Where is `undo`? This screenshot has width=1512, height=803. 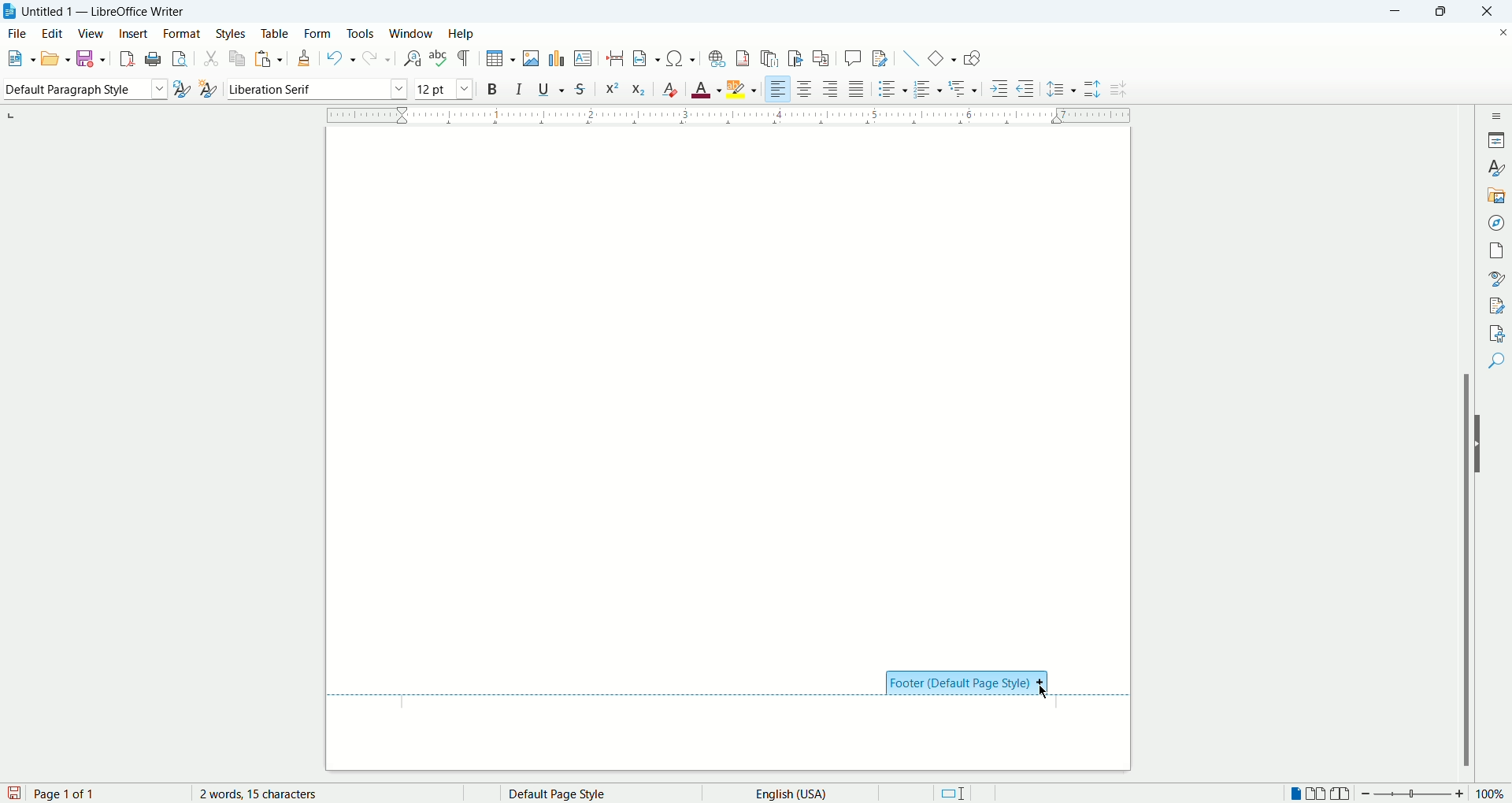
undo is located at coordinates (341, 58).